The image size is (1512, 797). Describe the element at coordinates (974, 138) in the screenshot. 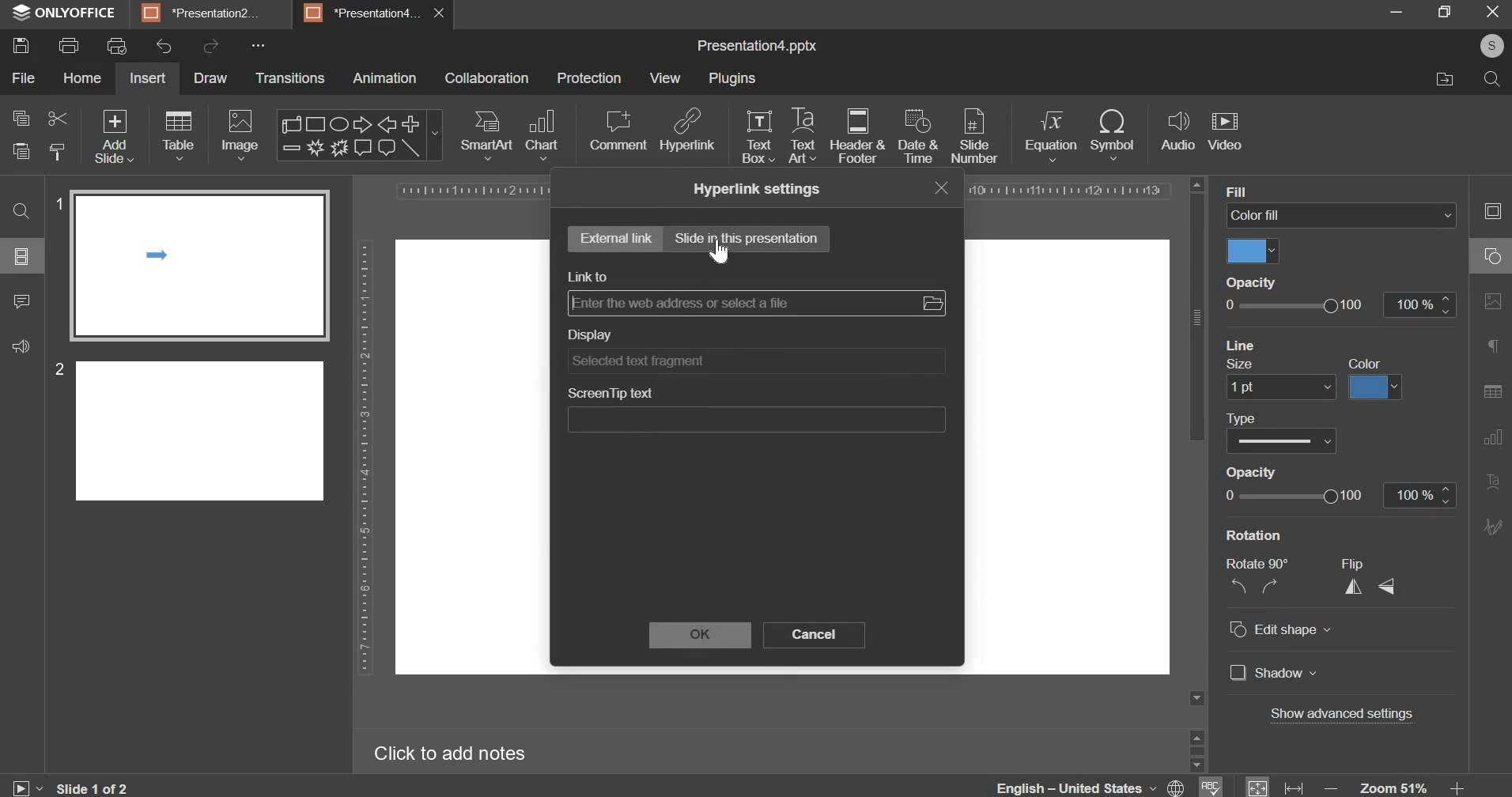

I see `slide number` at that location.